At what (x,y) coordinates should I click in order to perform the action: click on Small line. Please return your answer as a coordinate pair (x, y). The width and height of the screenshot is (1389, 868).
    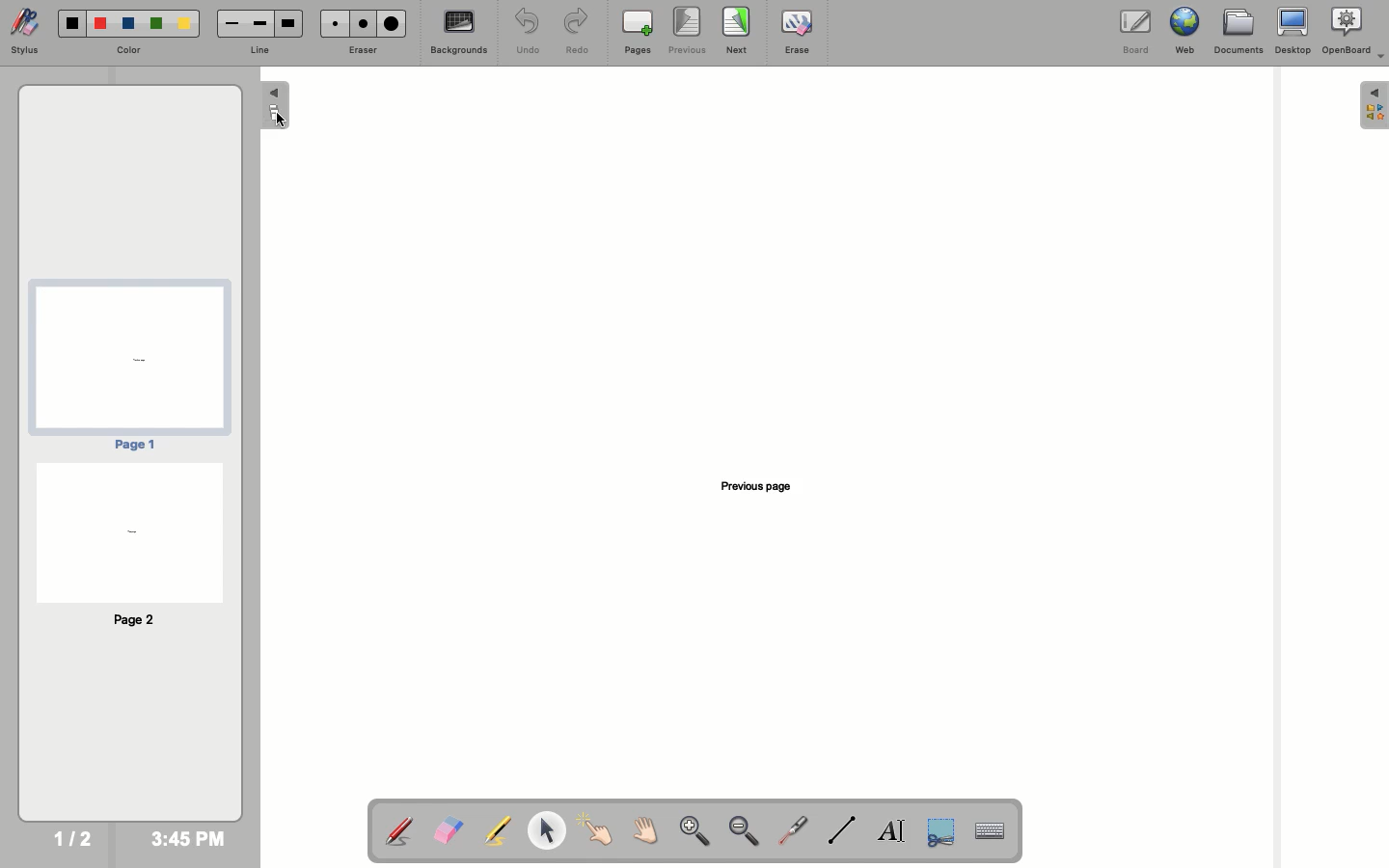
    Looking at the image, I should click on (232, 24).